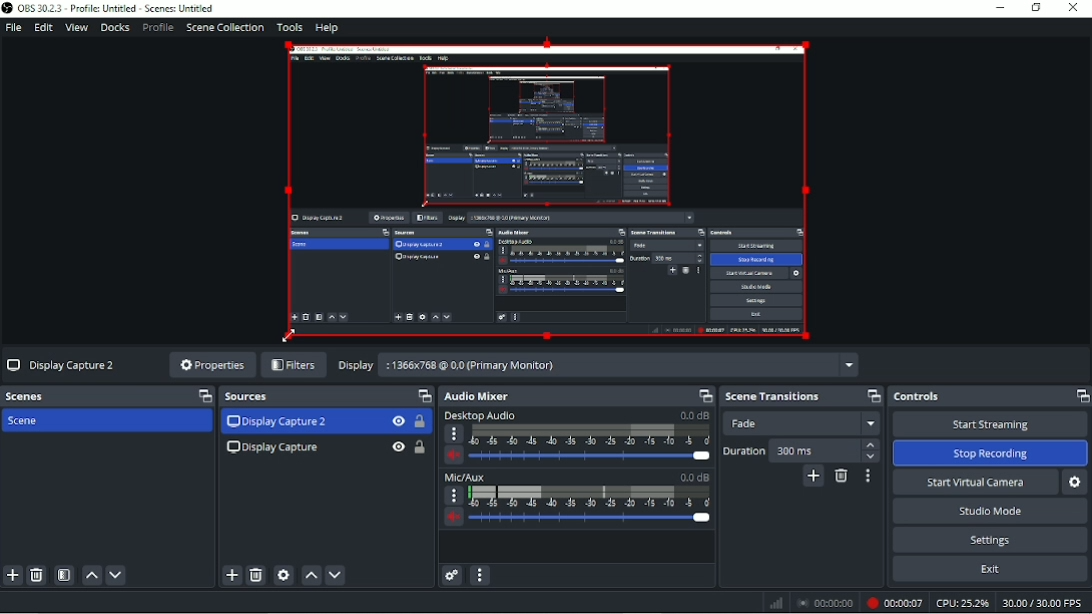 This screenshot has width=1092, height=614. What do you see at coordinates (37, 576) in the screenshot?
I see `Remove selected scene` at bounding box center [37, 576].